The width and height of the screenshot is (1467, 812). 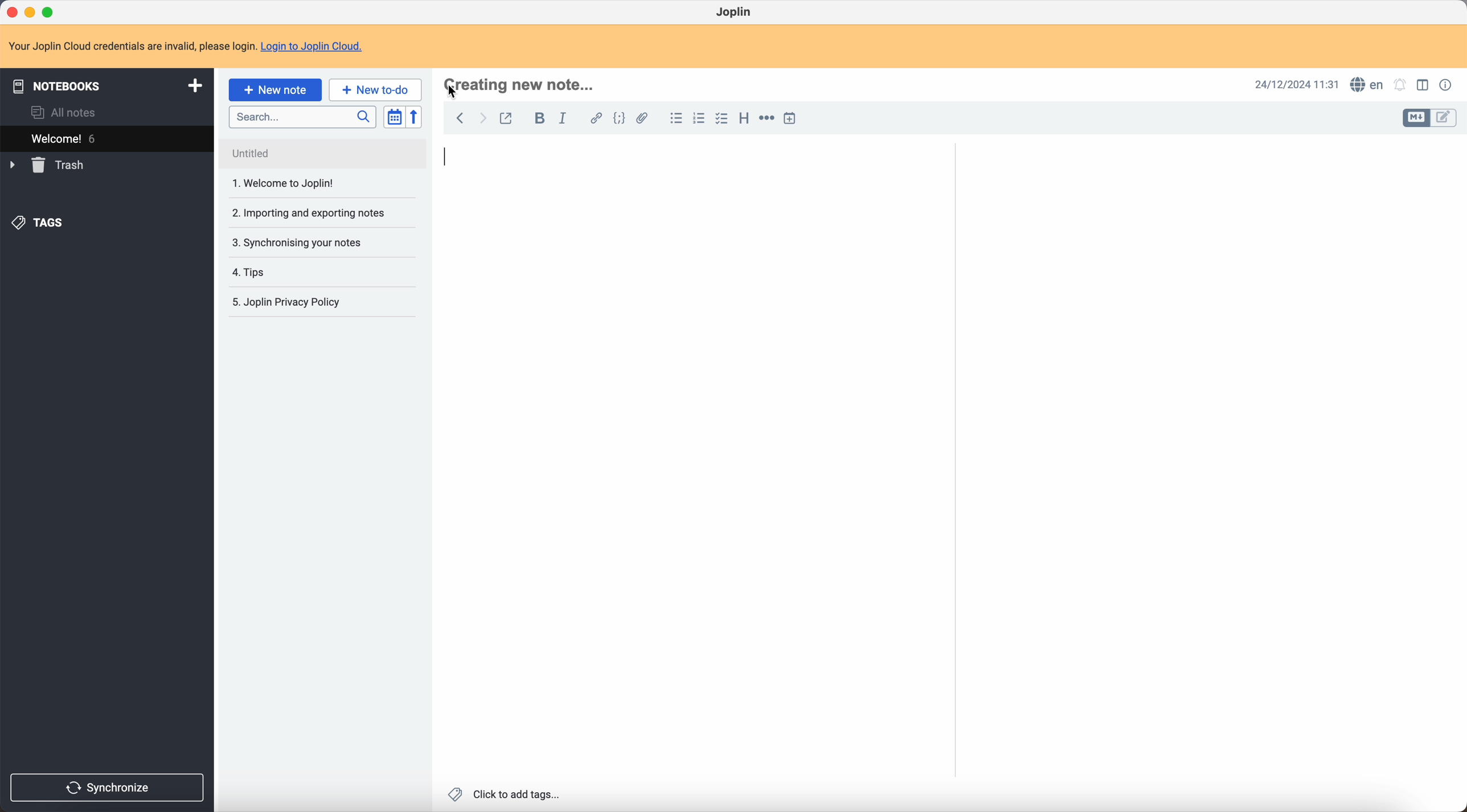 What do you see at coordinates (301, 242) in the screenshot?
I see `3. Synchronising your notes` at bounding box center [301, 242].